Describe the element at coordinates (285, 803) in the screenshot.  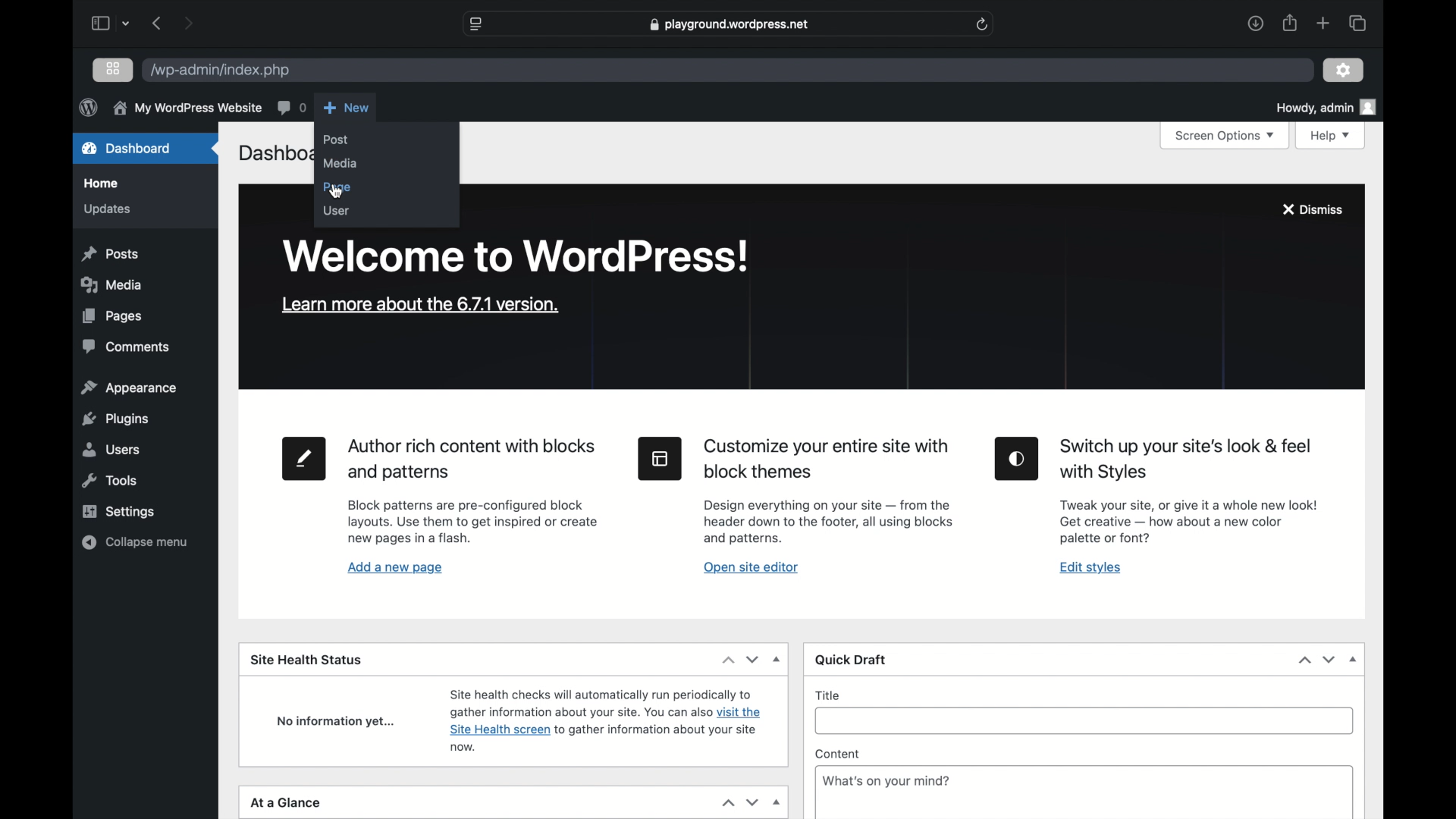
I see `at a glance` at that location.